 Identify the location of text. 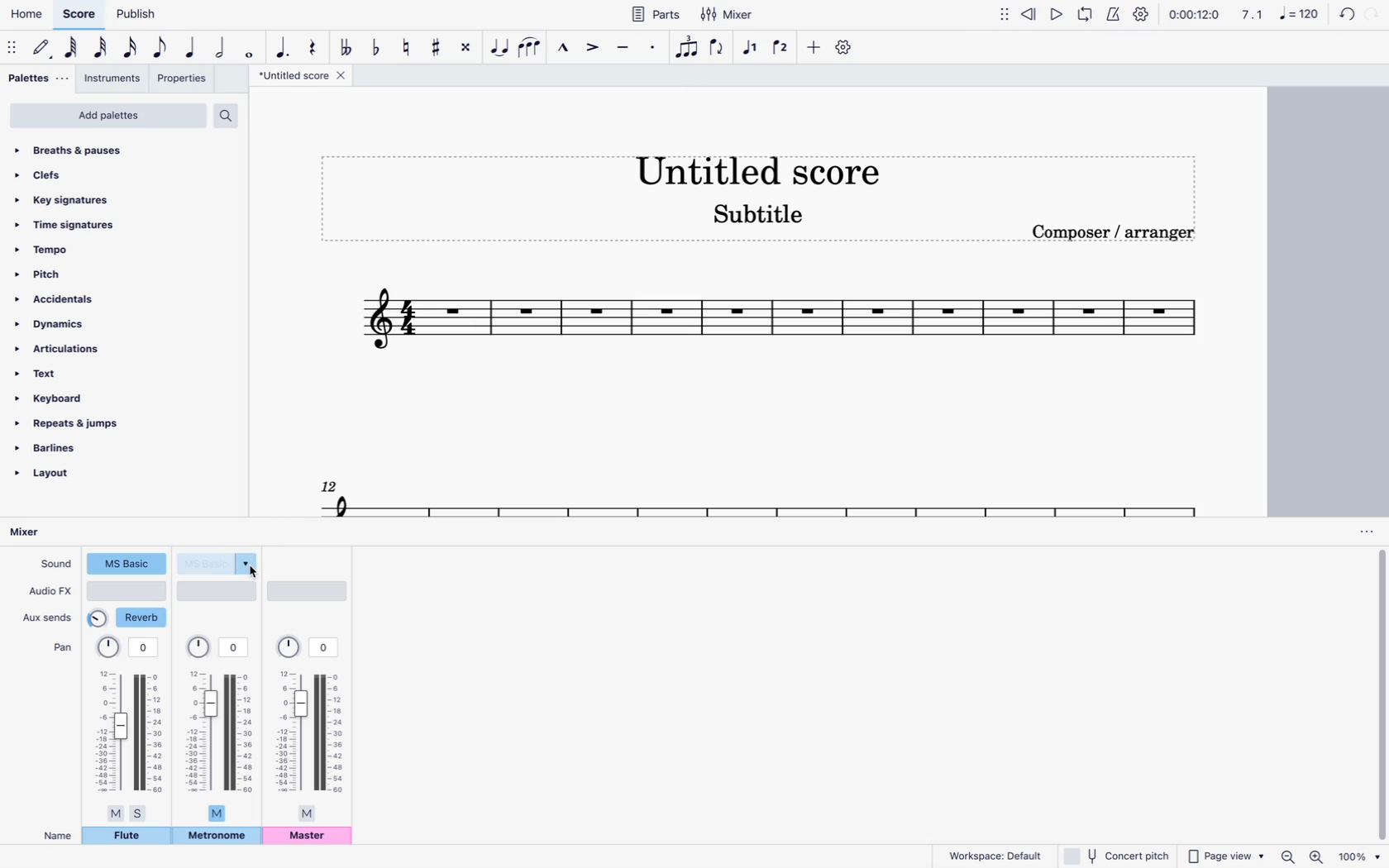
(87, 374).